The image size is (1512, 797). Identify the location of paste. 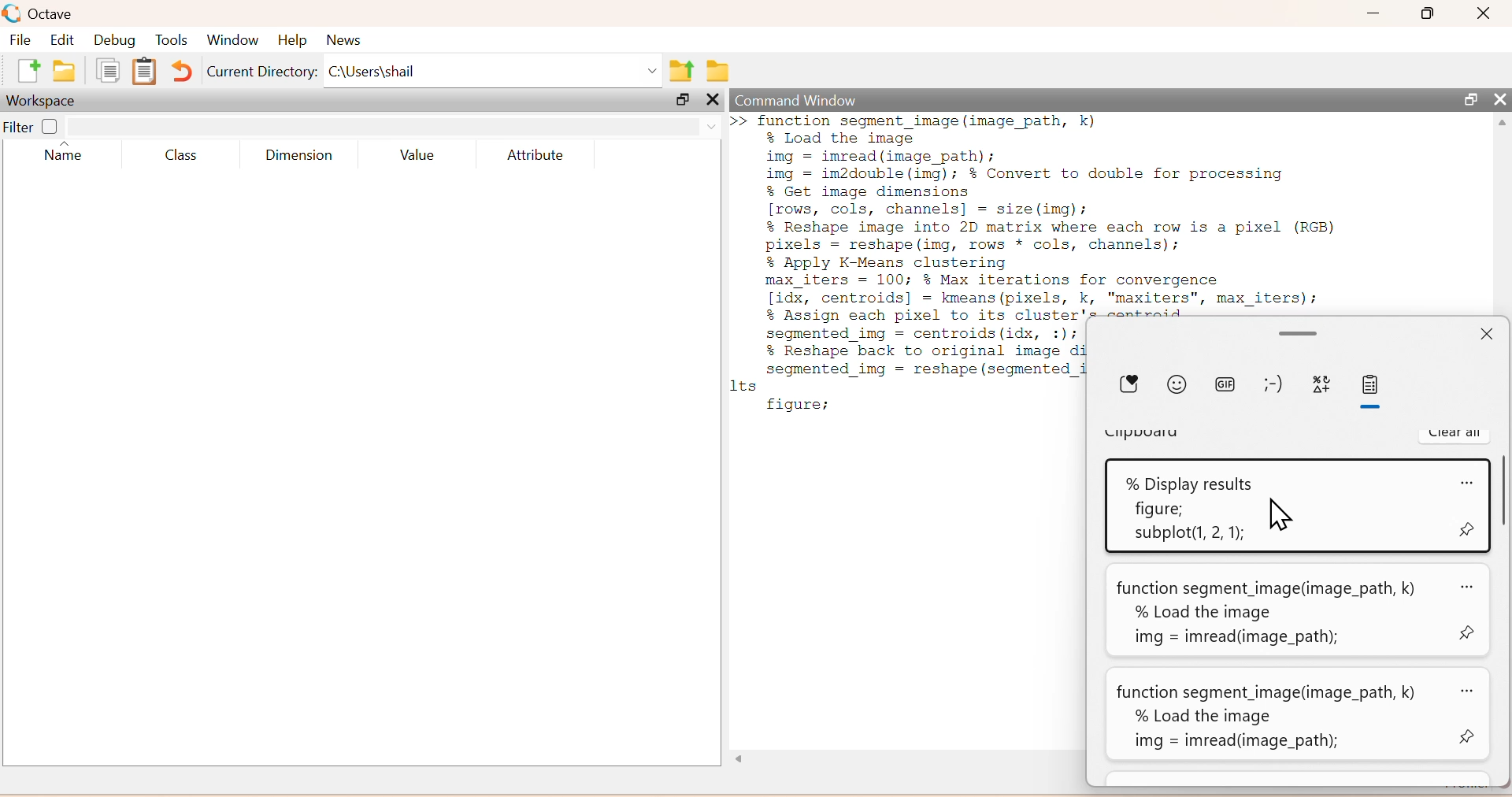
(1373, 390).